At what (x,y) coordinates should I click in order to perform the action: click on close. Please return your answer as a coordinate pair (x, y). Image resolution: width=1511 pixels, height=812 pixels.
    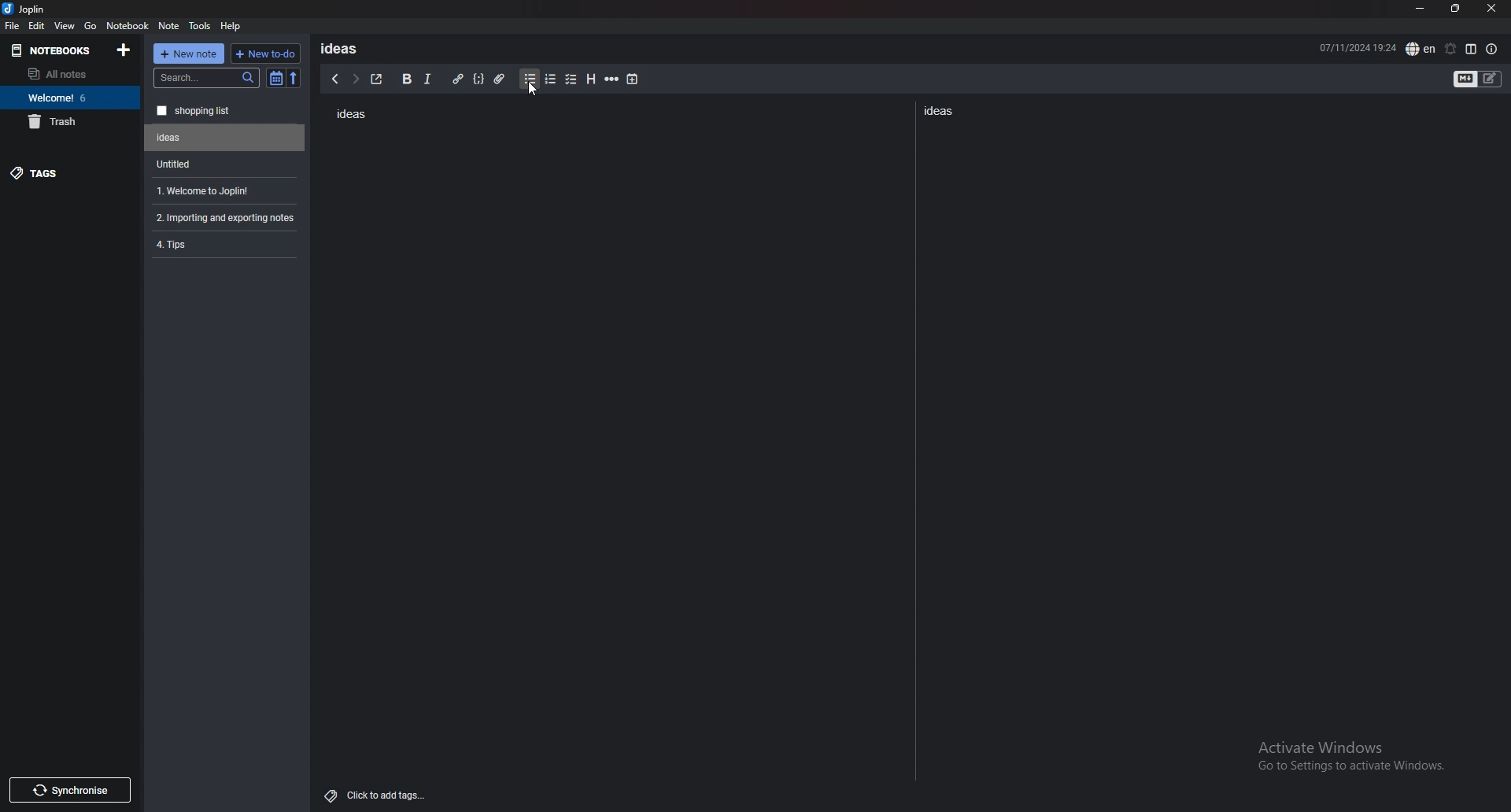
    Looking at the image, I should click on (1491, 9).